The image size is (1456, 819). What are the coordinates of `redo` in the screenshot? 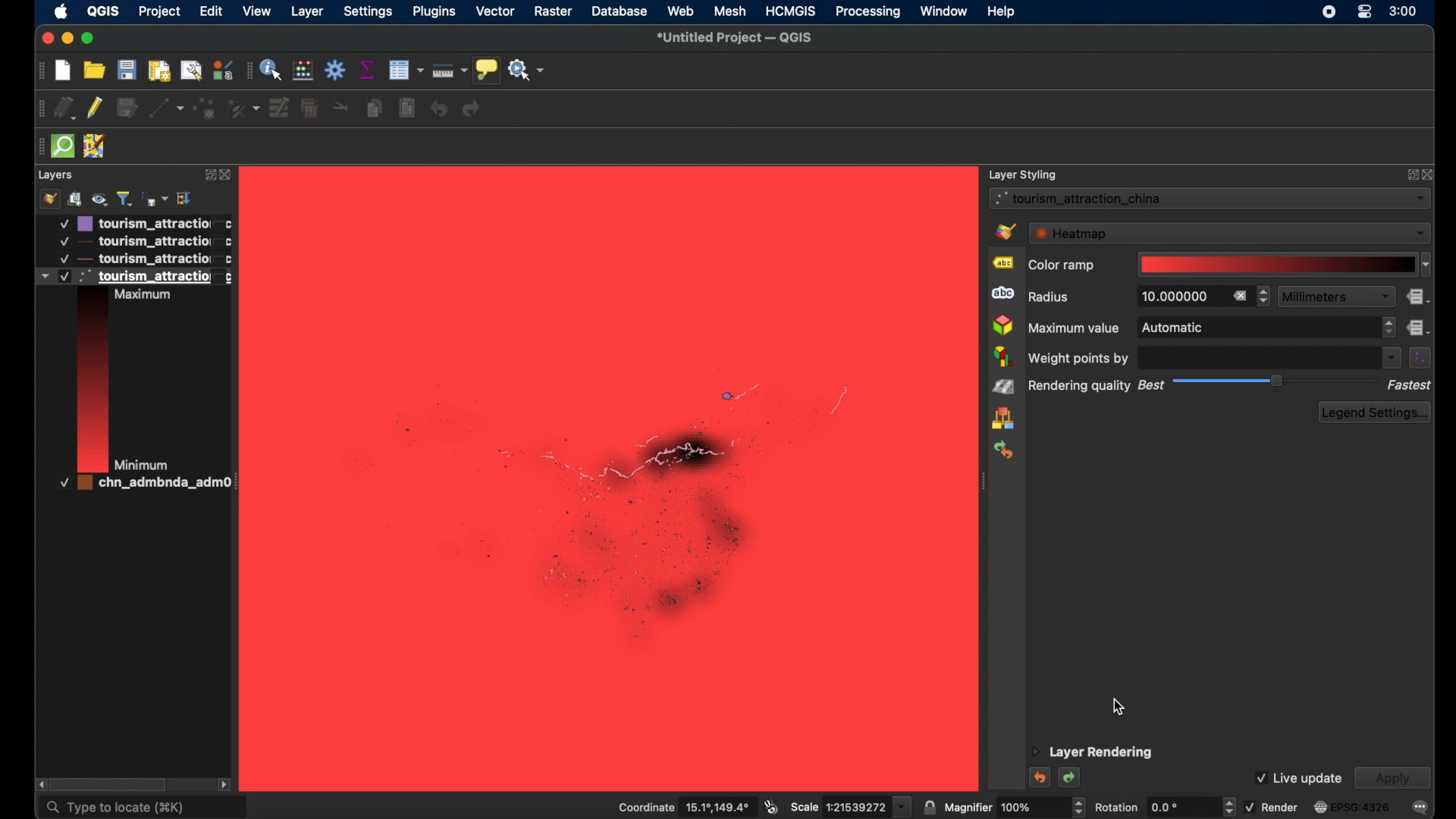 It's located at (1070, 779).